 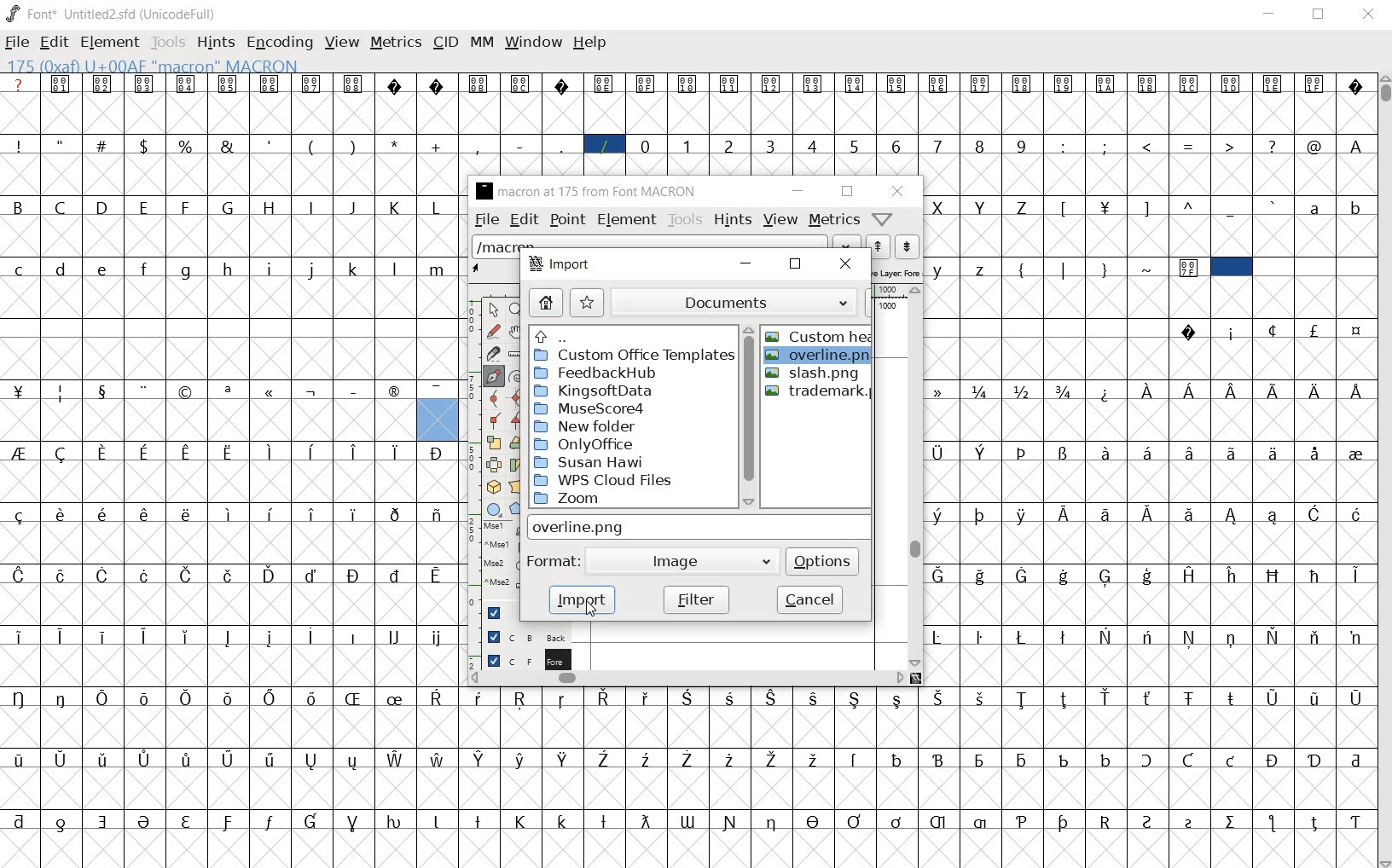 I want to click on load word list, so click(x=647, y=243).